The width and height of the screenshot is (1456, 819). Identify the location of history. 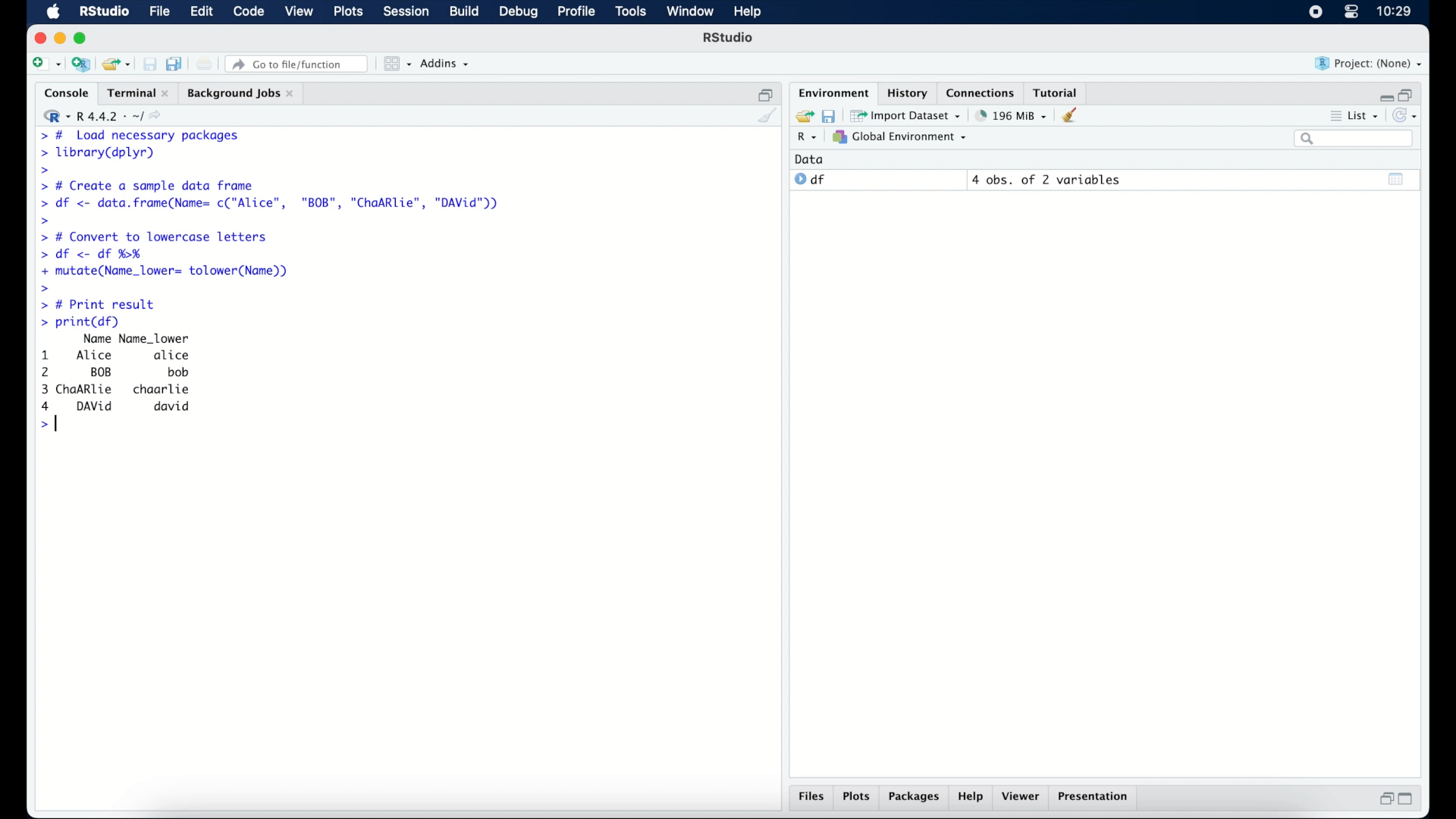
(906, 92).